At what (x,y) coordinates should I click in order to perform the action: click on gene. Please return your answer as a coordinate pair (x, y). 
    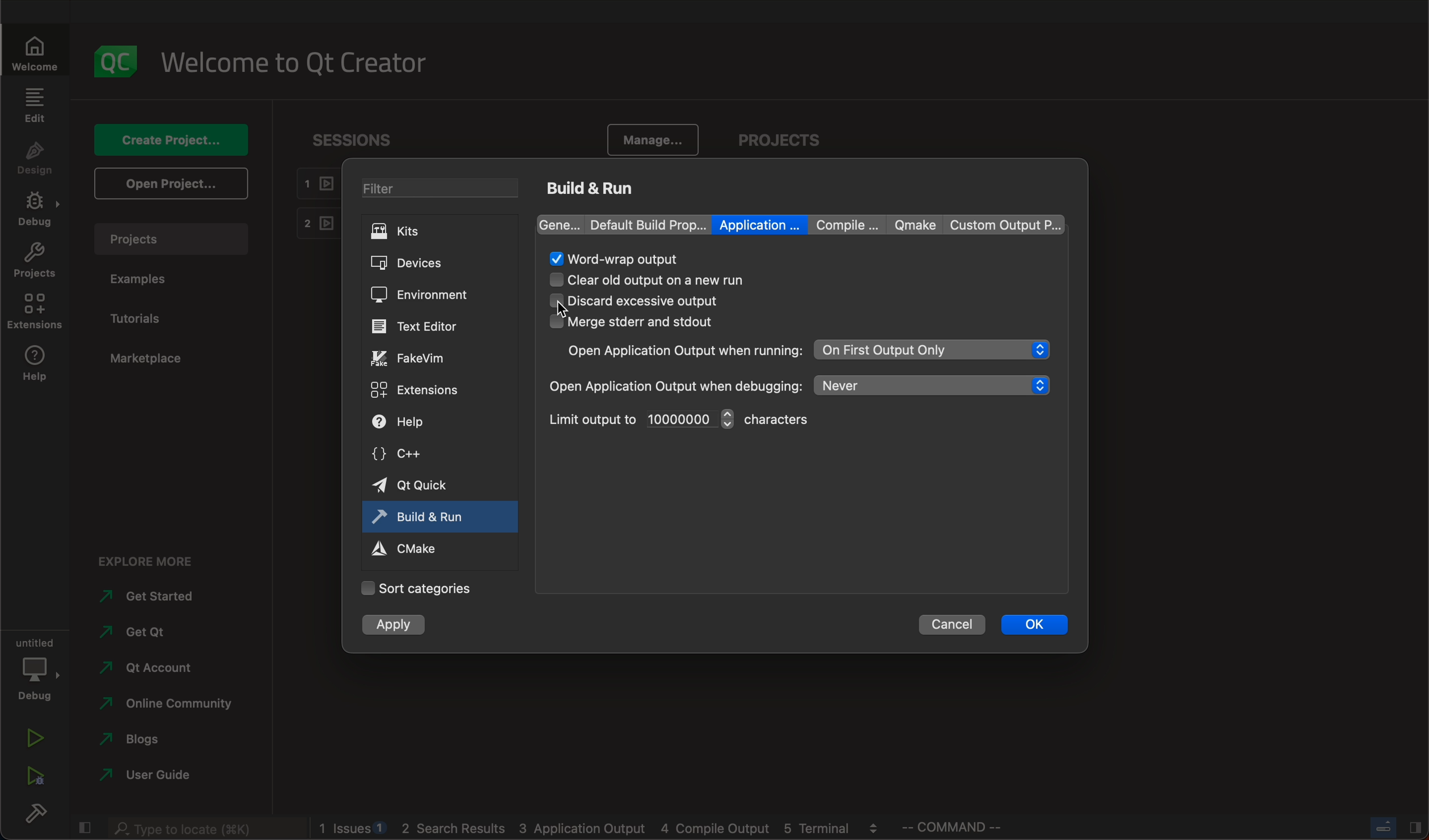
    Looking at the image, I should click on (561, 224).